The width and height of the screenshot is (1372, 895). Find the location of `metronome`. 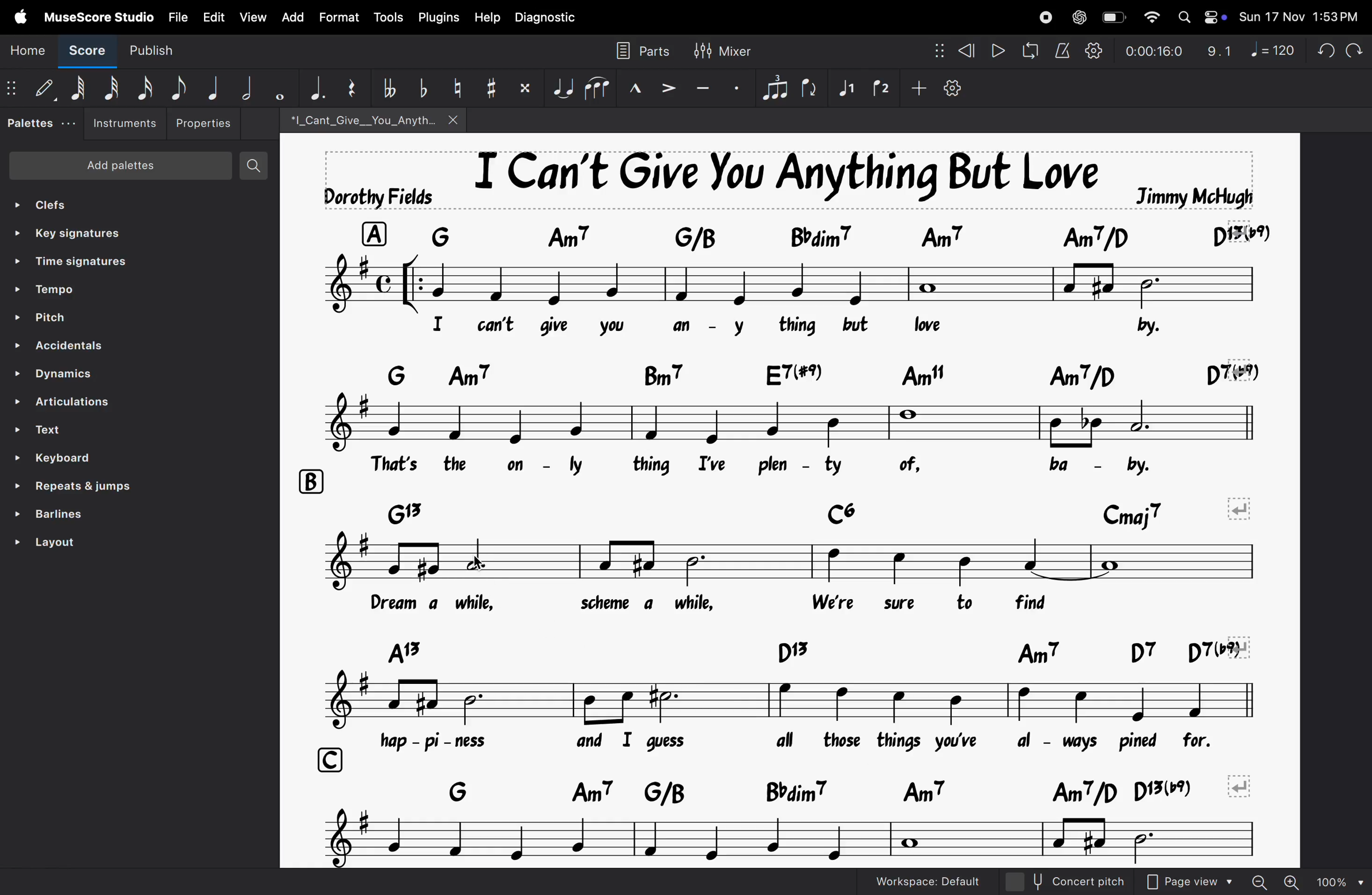

metronome is located at coordinates (1060, 48).